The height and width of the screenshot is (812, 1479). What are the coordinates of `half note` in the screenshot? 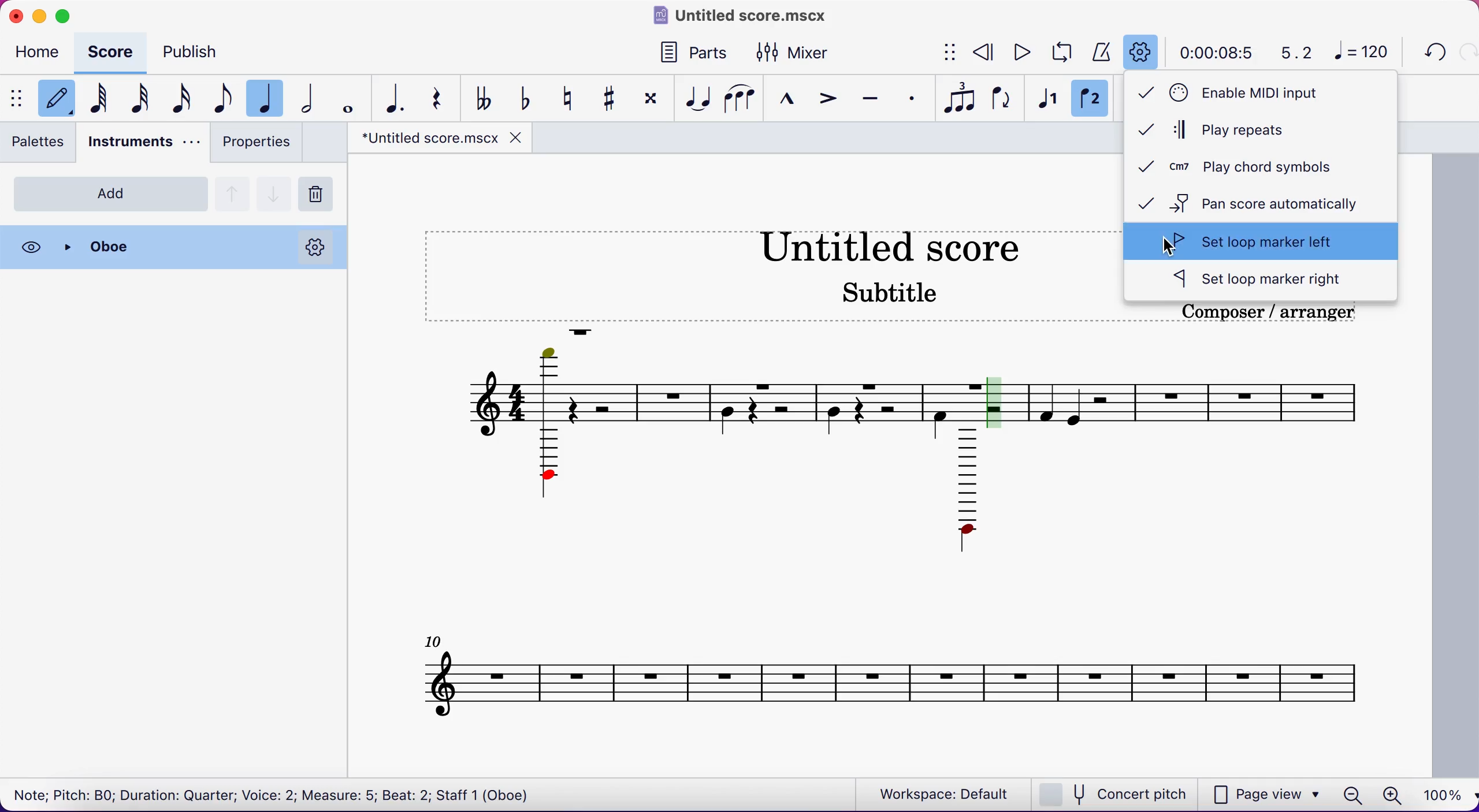 It's located at (313, 99).